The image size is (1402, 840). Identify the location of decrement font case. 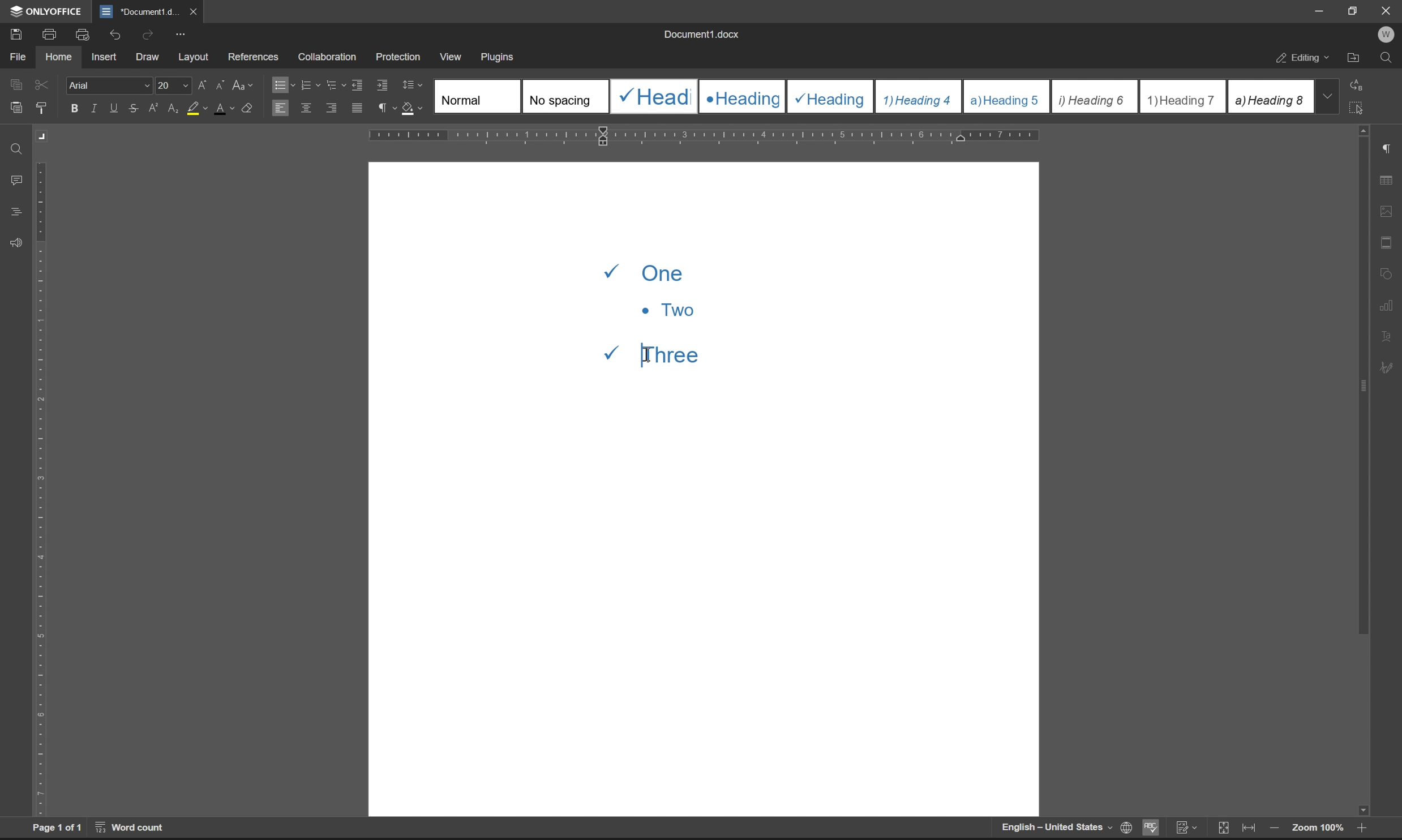
(217, 83).